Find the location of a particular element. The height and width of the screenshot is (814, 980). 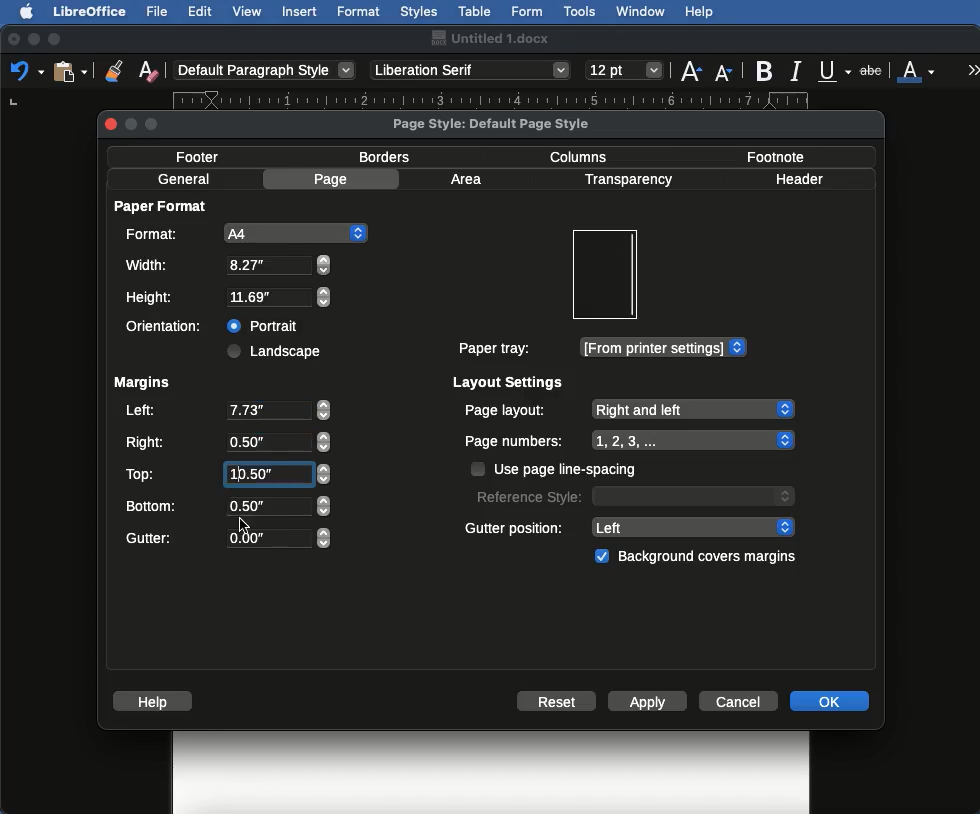

Strikethrough  is located at coordinates (873, 69).